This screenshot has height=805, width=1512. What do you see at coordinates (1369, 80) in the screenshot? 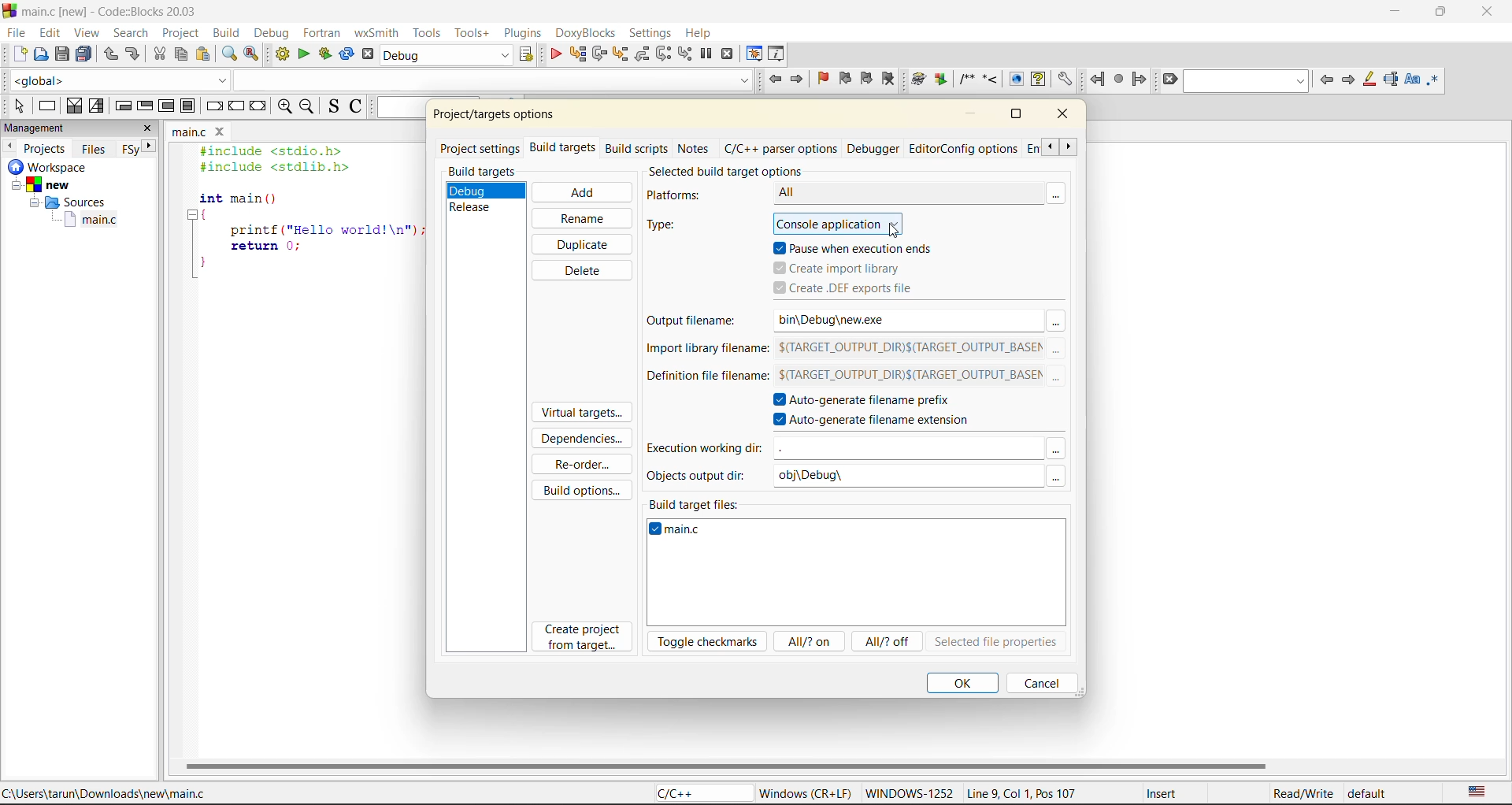
I see `highlight` at bounding box center [1369, 80].